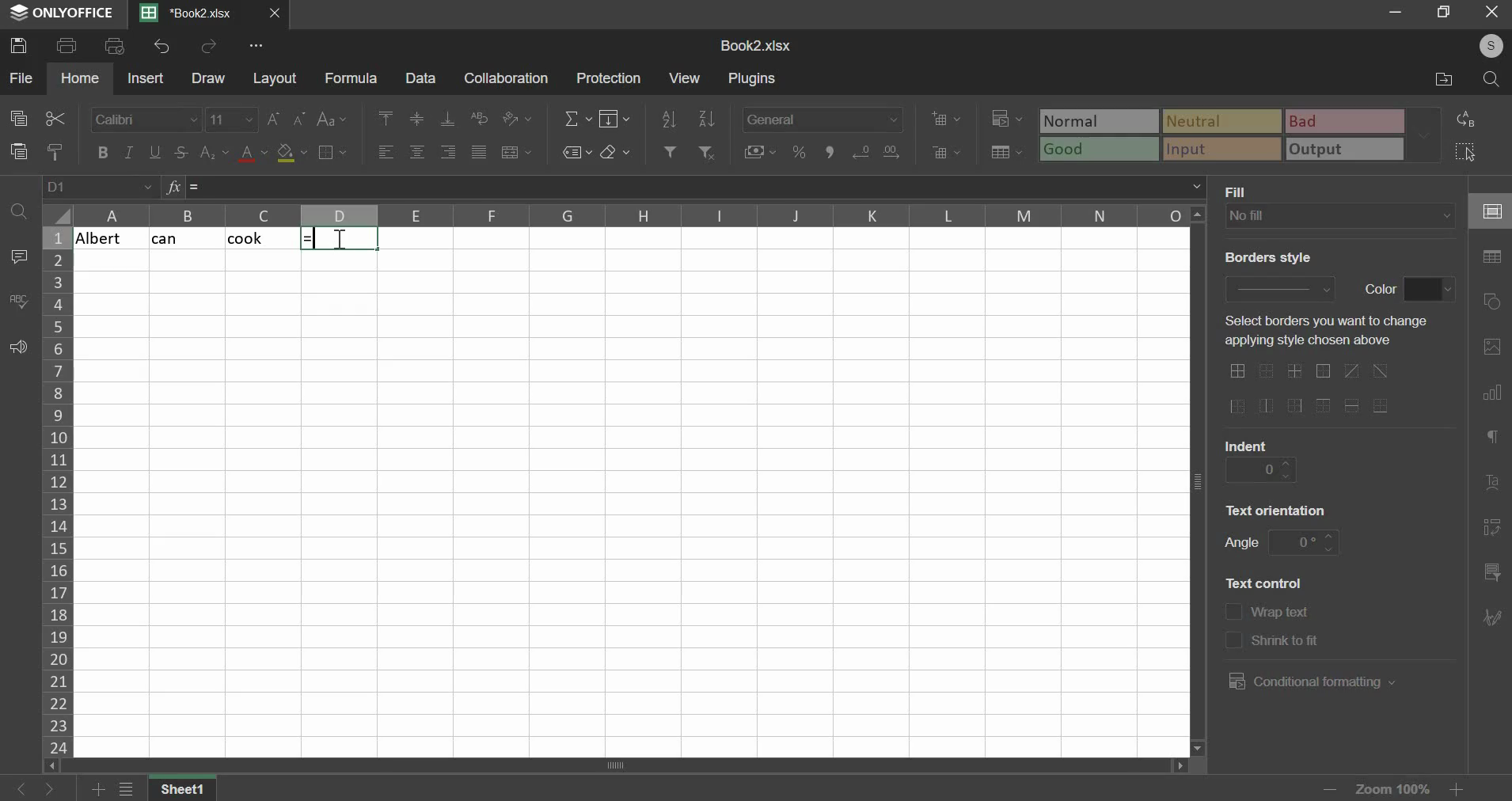 This screenshot has height=801, width=1512. I want to click on conditional formatting, so click(1309, 681).